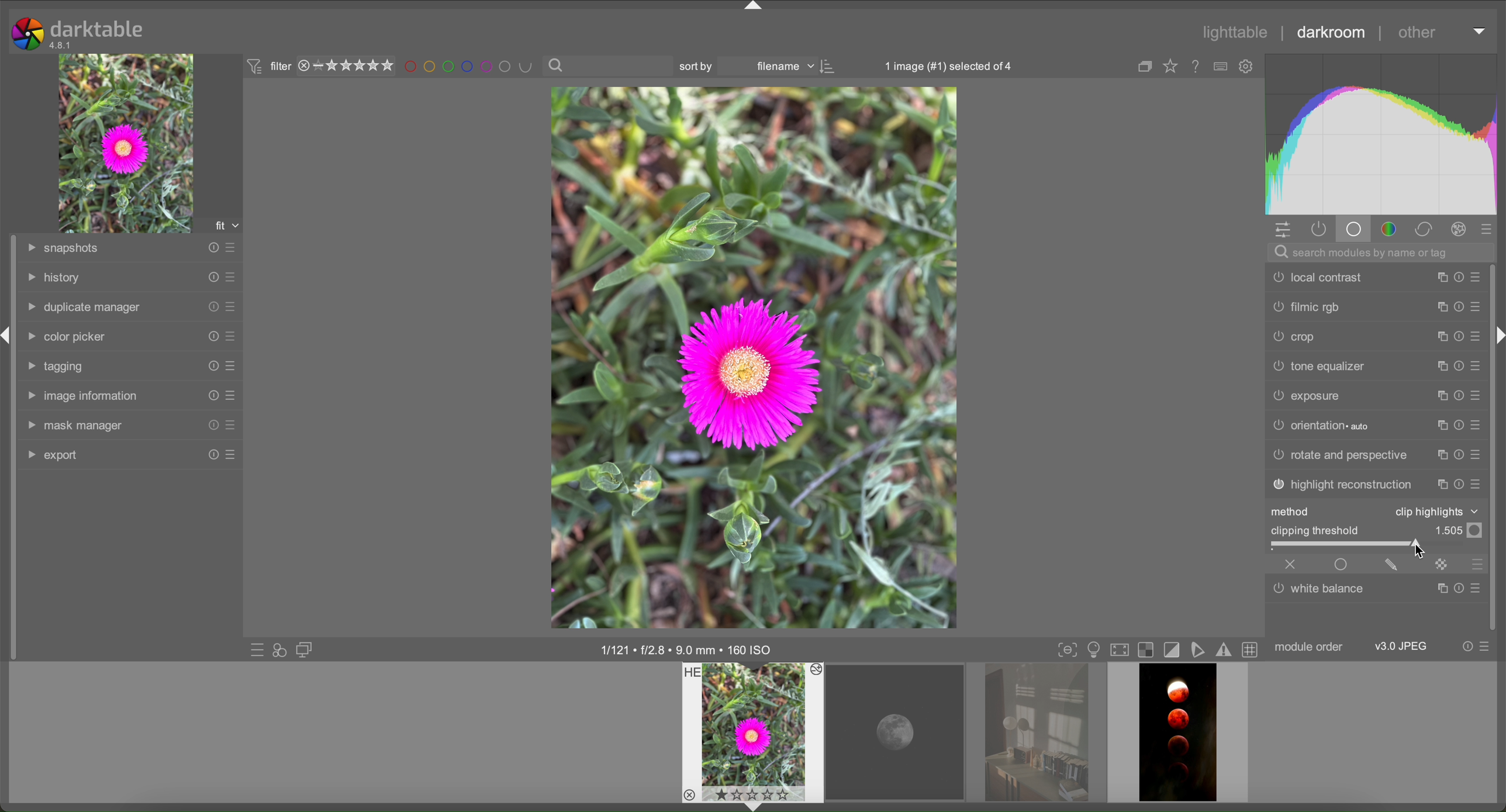 This screenshot has height=812, width=1506. I want to click on image information, so click(688, 649).